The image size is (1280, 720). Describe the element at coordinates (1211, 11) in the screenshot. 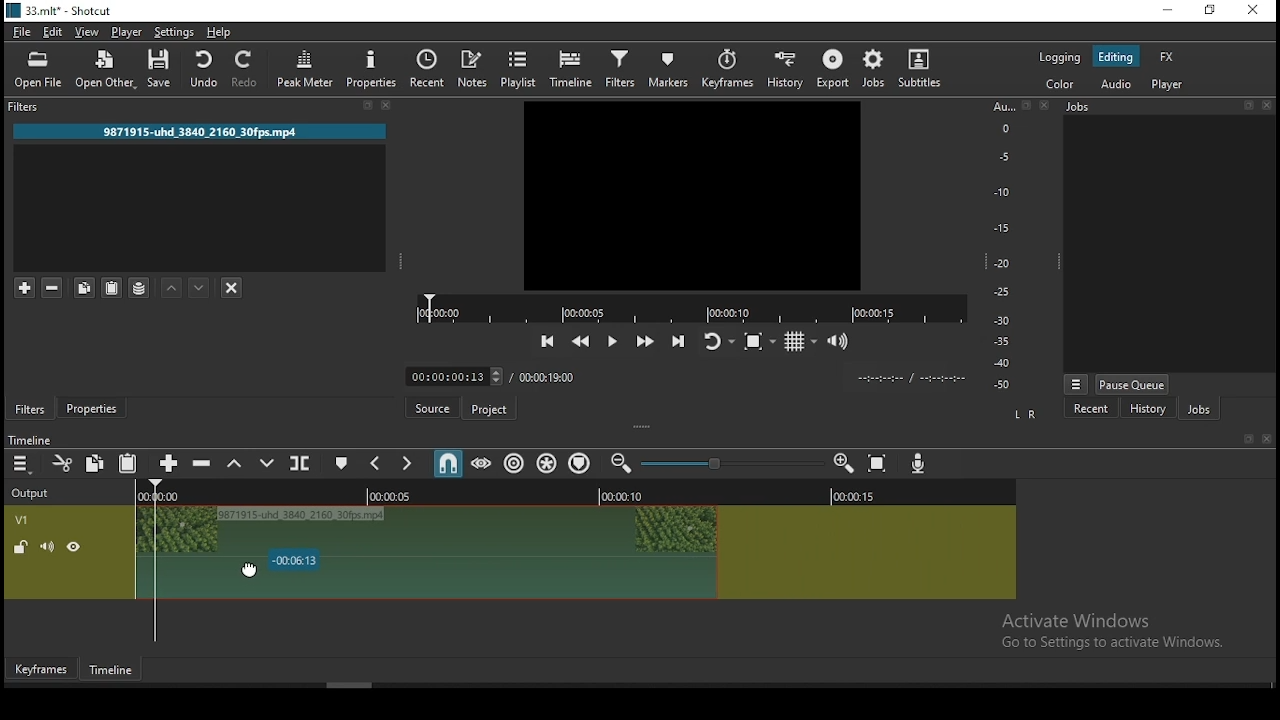

I see `restore` at that location.